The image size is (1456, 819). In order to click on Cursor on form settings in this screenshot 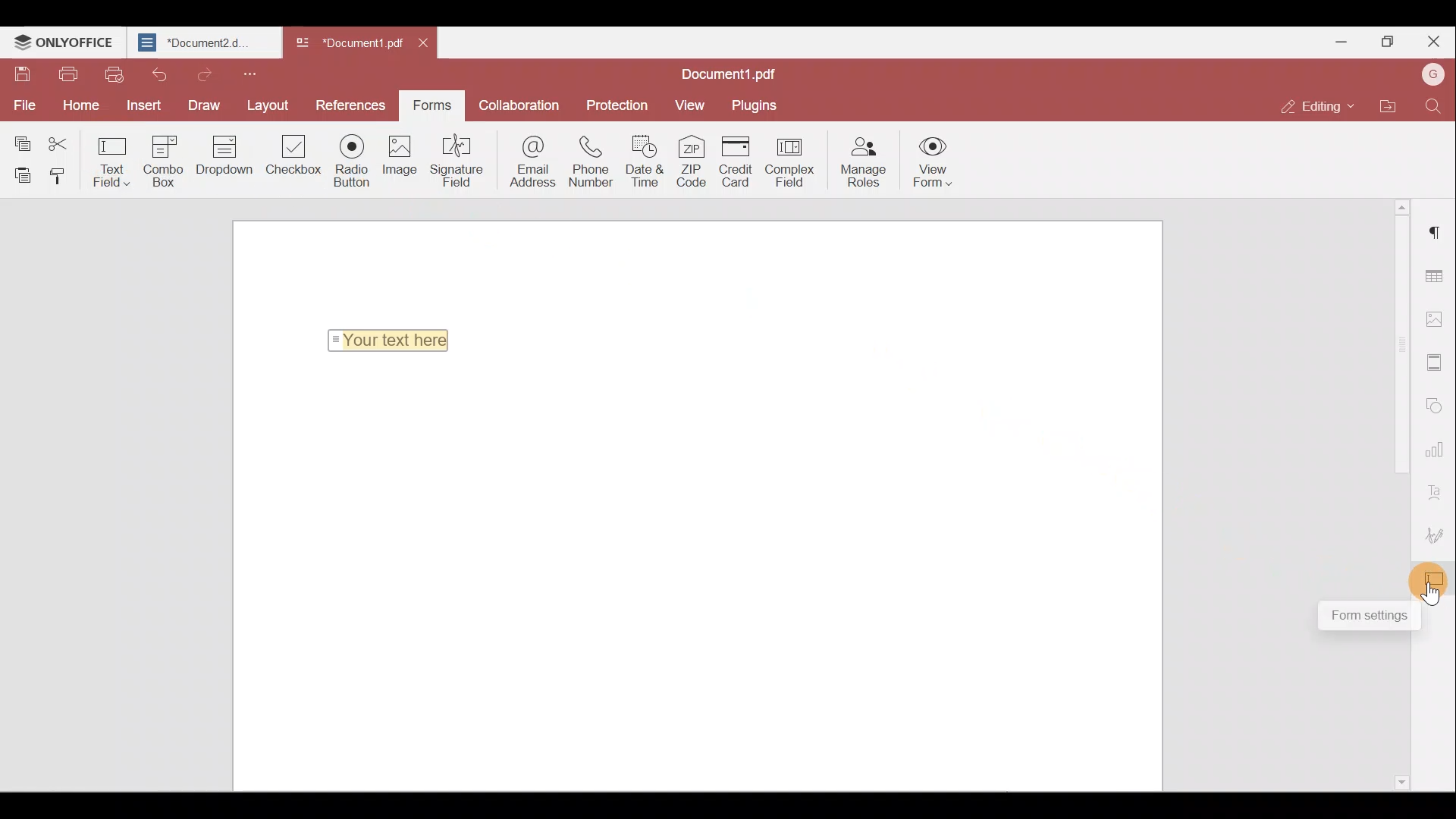, I will do `click(1436, 596)`.